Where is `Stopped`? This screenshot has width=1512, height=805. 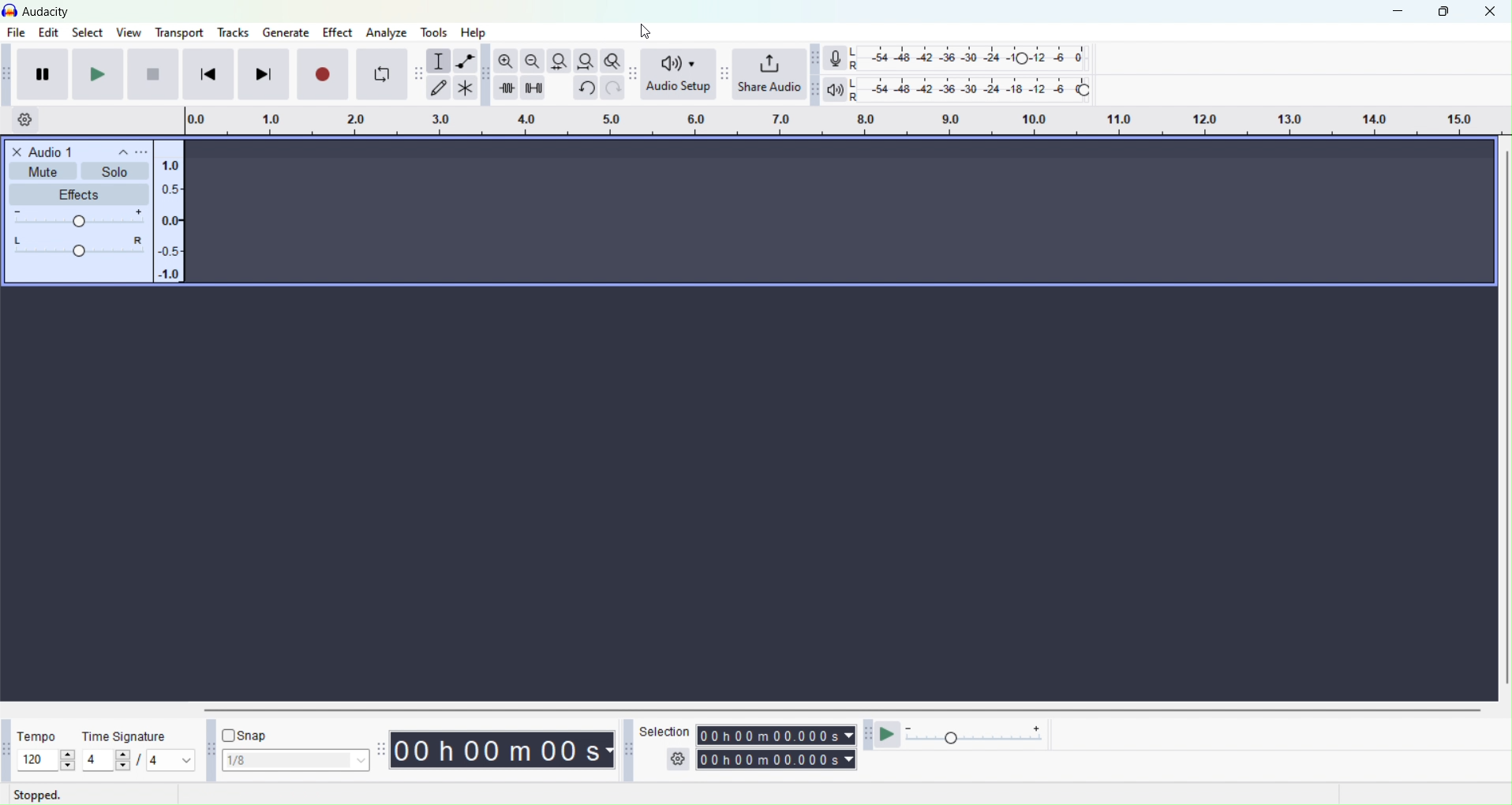 Stopped is located at coordinates (43, 795).